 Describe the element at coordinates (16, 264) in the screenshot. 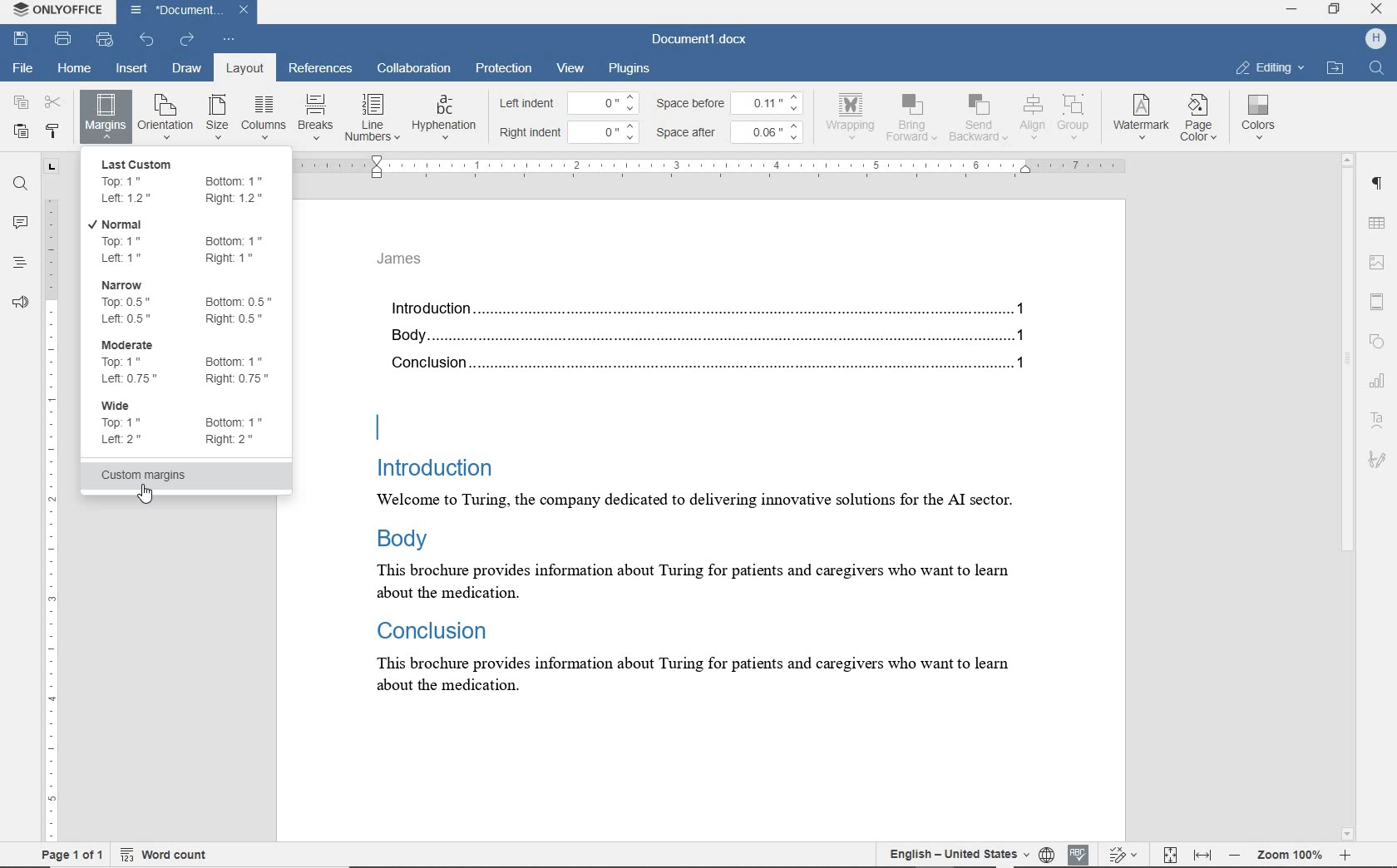

I see `headings` at that location.